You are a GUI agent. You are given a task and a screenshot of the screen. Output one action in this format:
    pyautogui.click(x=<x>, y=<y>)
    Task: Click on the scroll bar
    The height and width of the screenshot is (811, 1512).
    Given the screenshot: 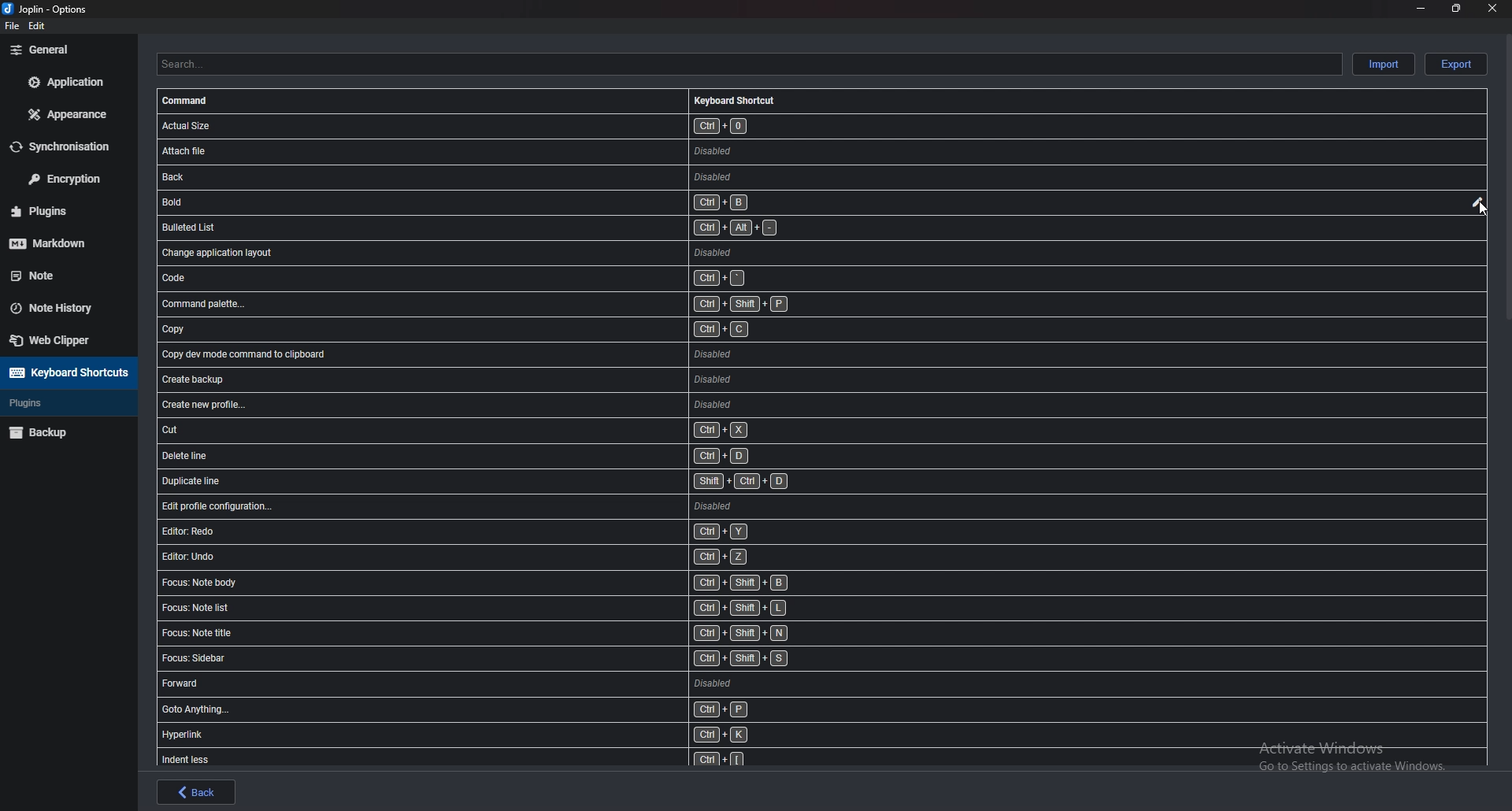 What is the action you would take?
    pyautogui.click(x=1506, y=178)
    